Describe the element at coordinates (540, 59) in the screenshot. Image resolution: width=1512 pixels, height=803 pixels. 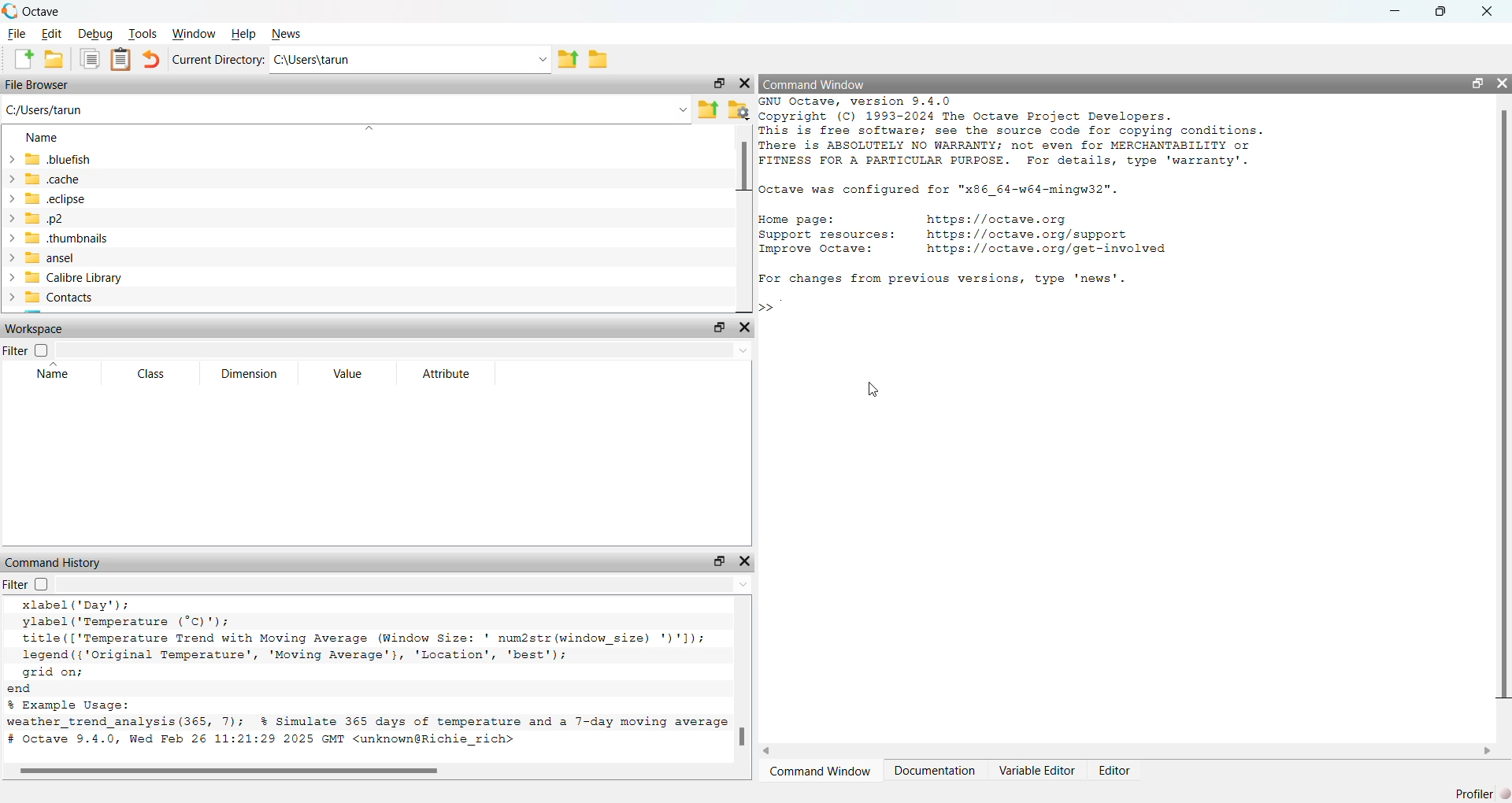
I see `dropdown` at that location.